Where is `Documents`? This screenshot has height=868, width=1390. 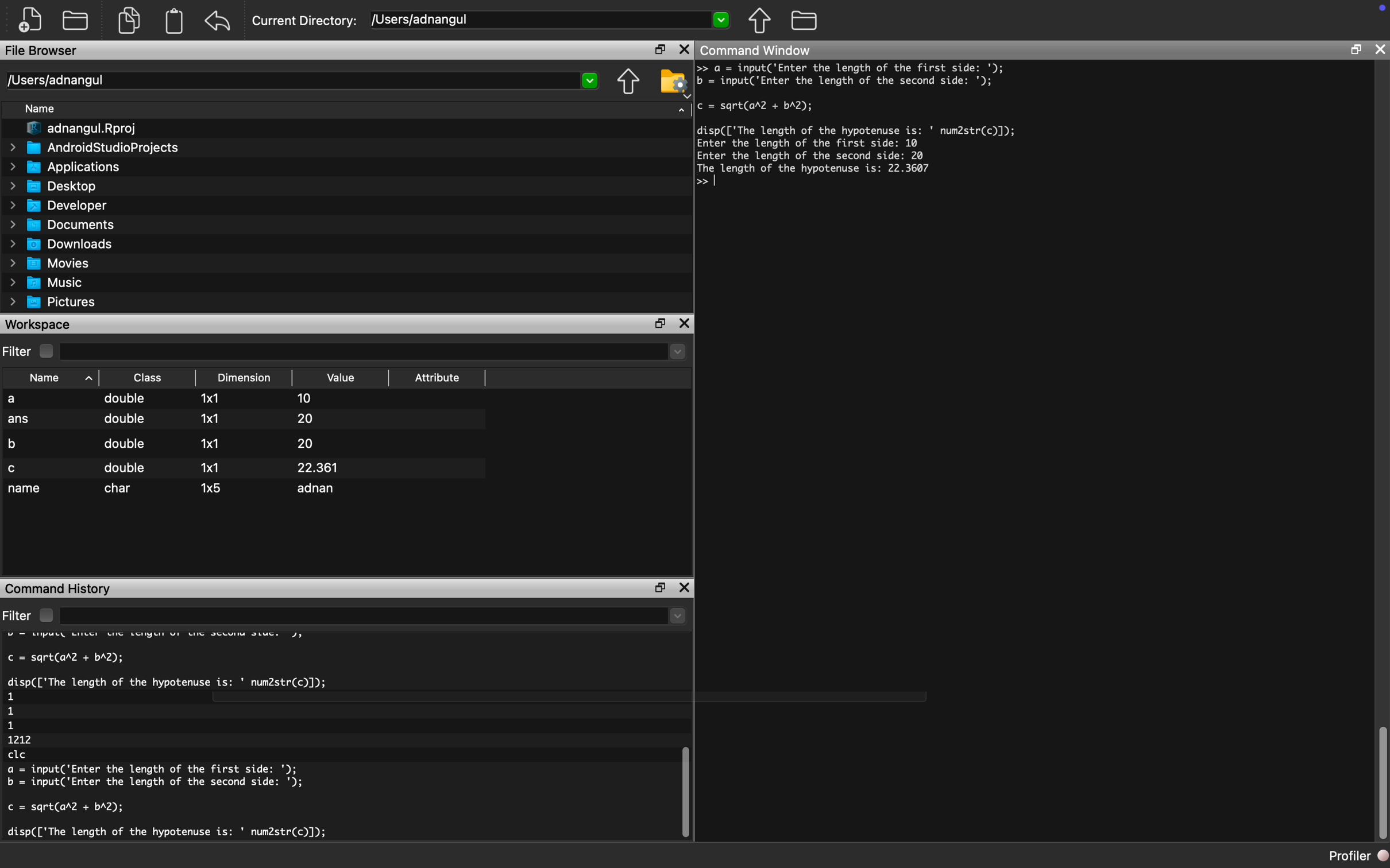
Documents is located at coordinates (65, 224).